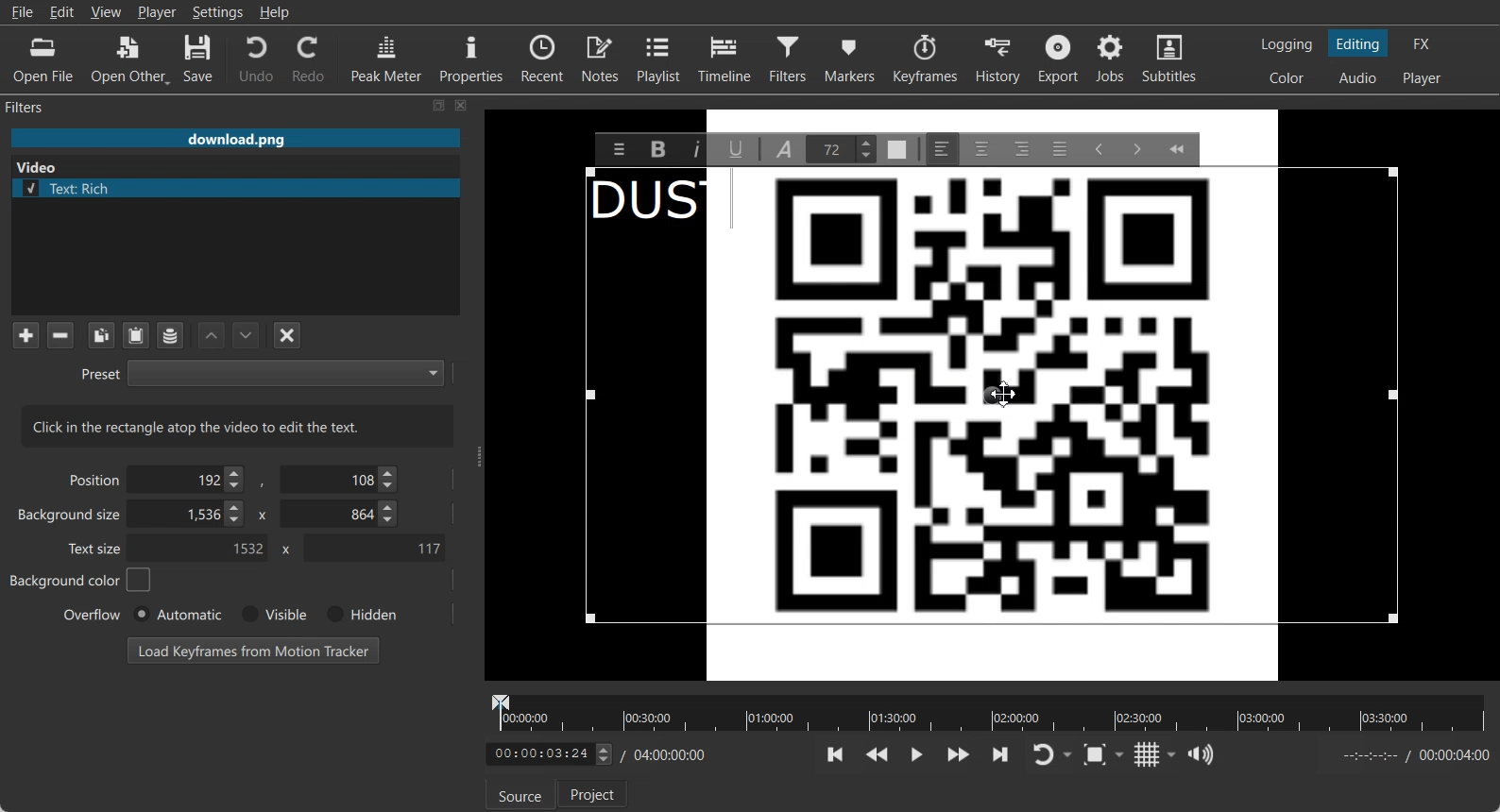  What do you see at coordinates (999, 753) in the screenshot?
I see `Skip to the next point` at bounding box center [999, 753].